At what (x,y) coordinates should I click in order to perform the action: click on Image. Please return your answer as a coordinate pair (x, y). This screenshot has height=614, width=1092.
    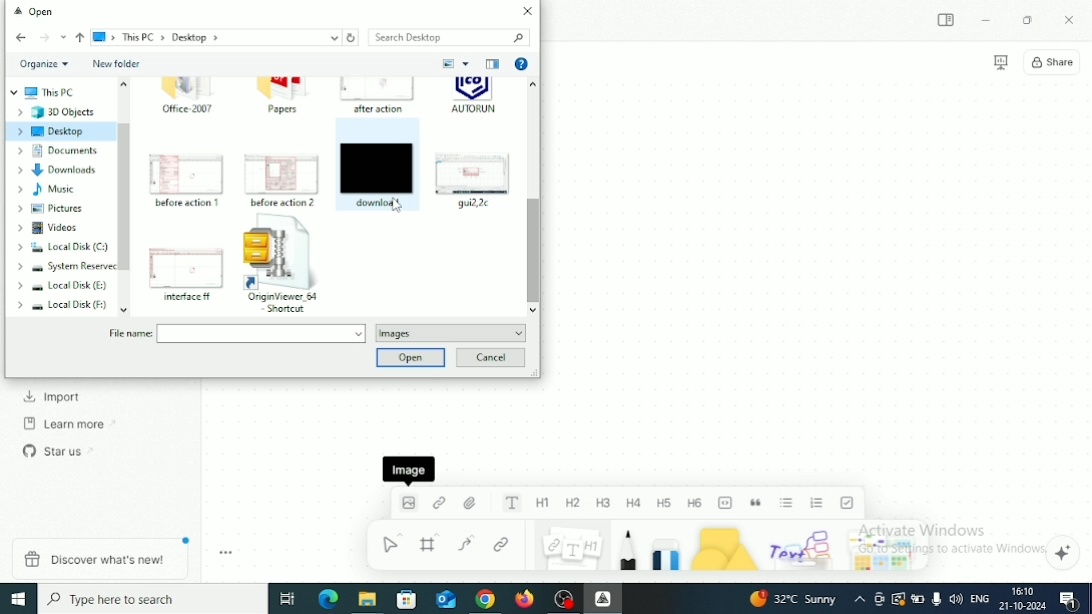
    Looking at the image, I should click on (407, 508).